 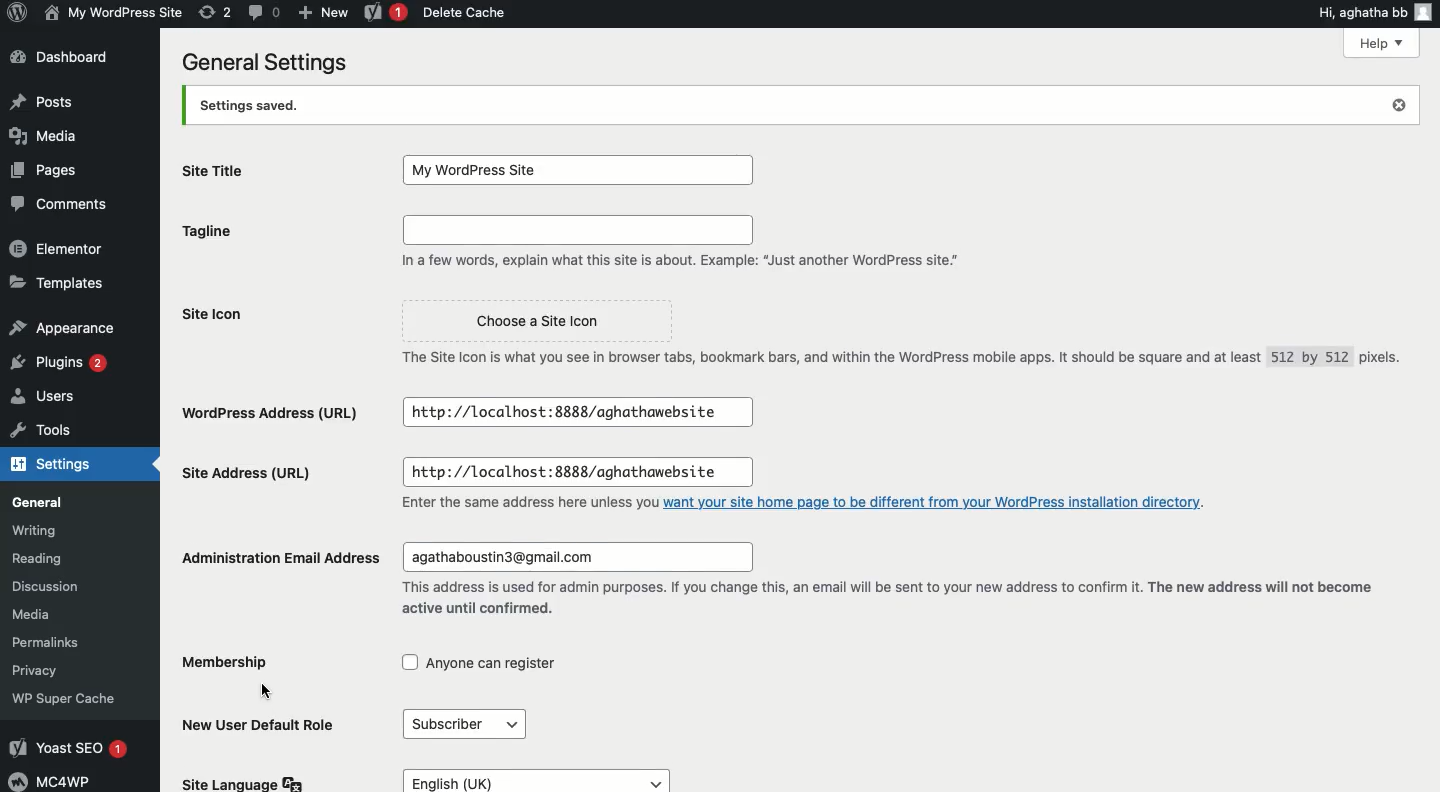 I want to click on want your site home page to be different from your WordPress installation directory., so click(x=938, y=505).